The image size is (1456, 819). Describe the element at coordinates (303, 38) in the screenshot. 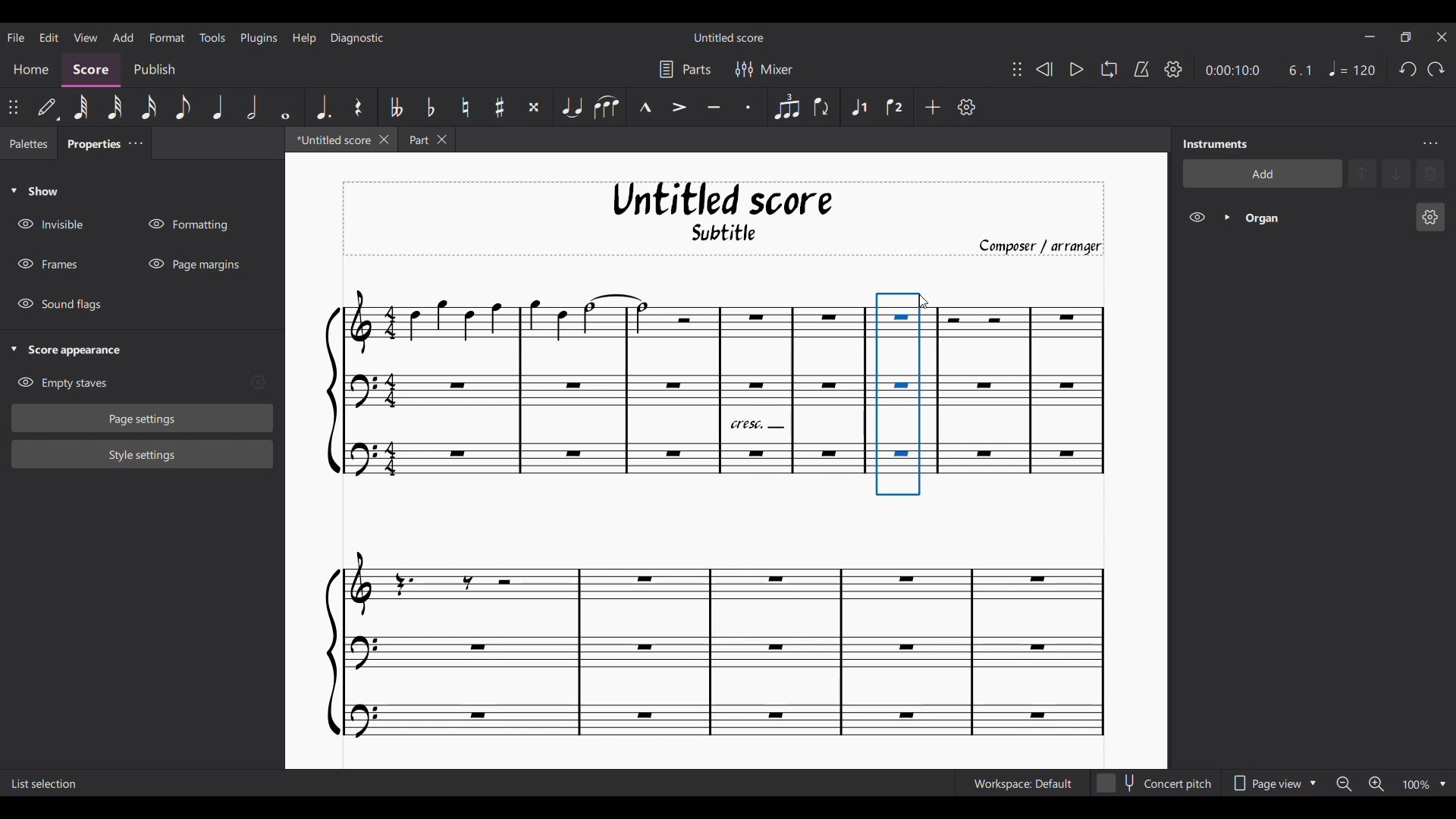

I see `Help menu` at that location.